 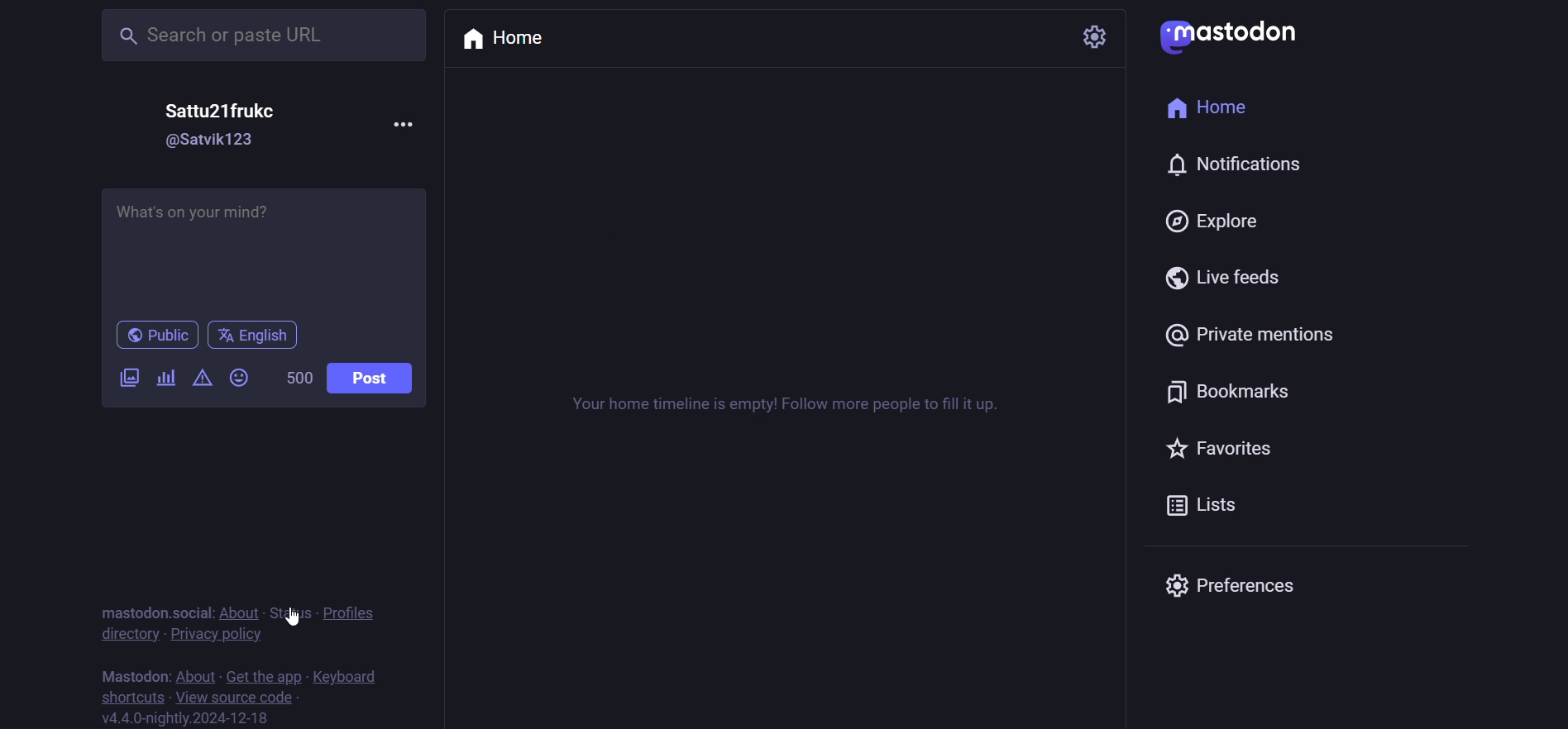 What do you see at coordinates (195, 671) in the screenshot?
I see `about` at bounding box center [195, 671].